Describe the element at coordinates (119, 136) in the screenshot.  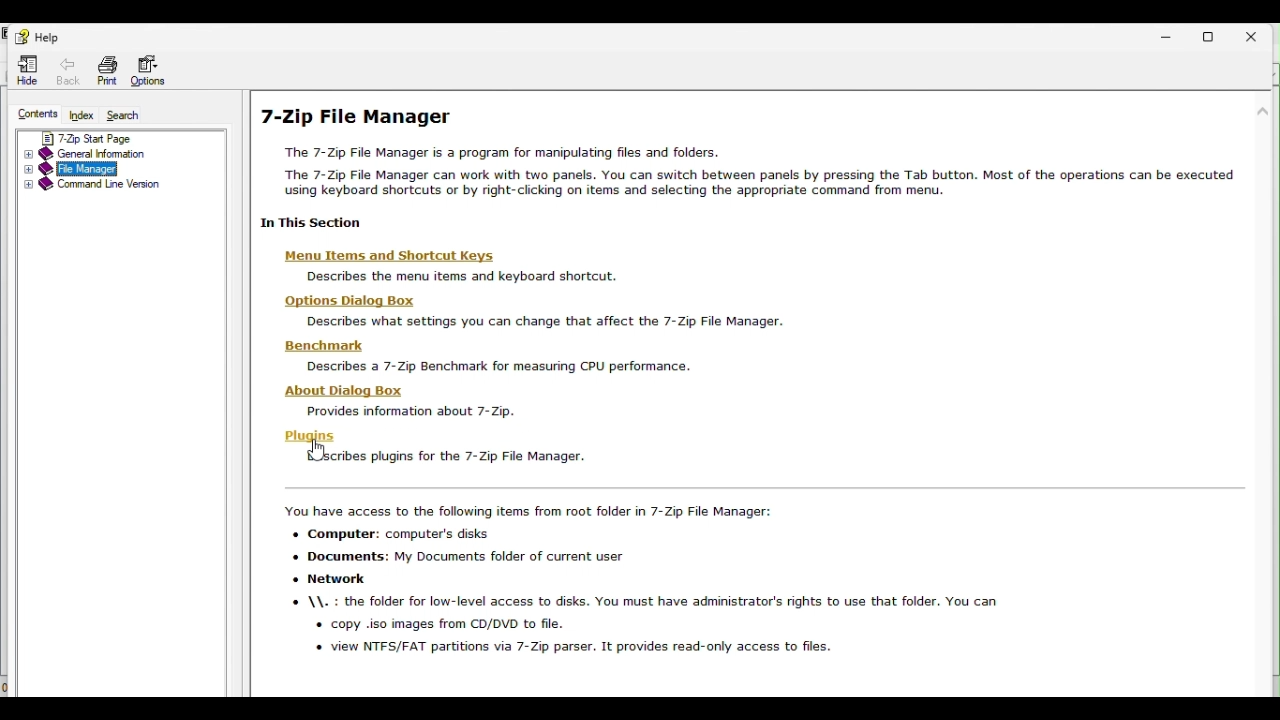
I see `7 zip start page` at that location.